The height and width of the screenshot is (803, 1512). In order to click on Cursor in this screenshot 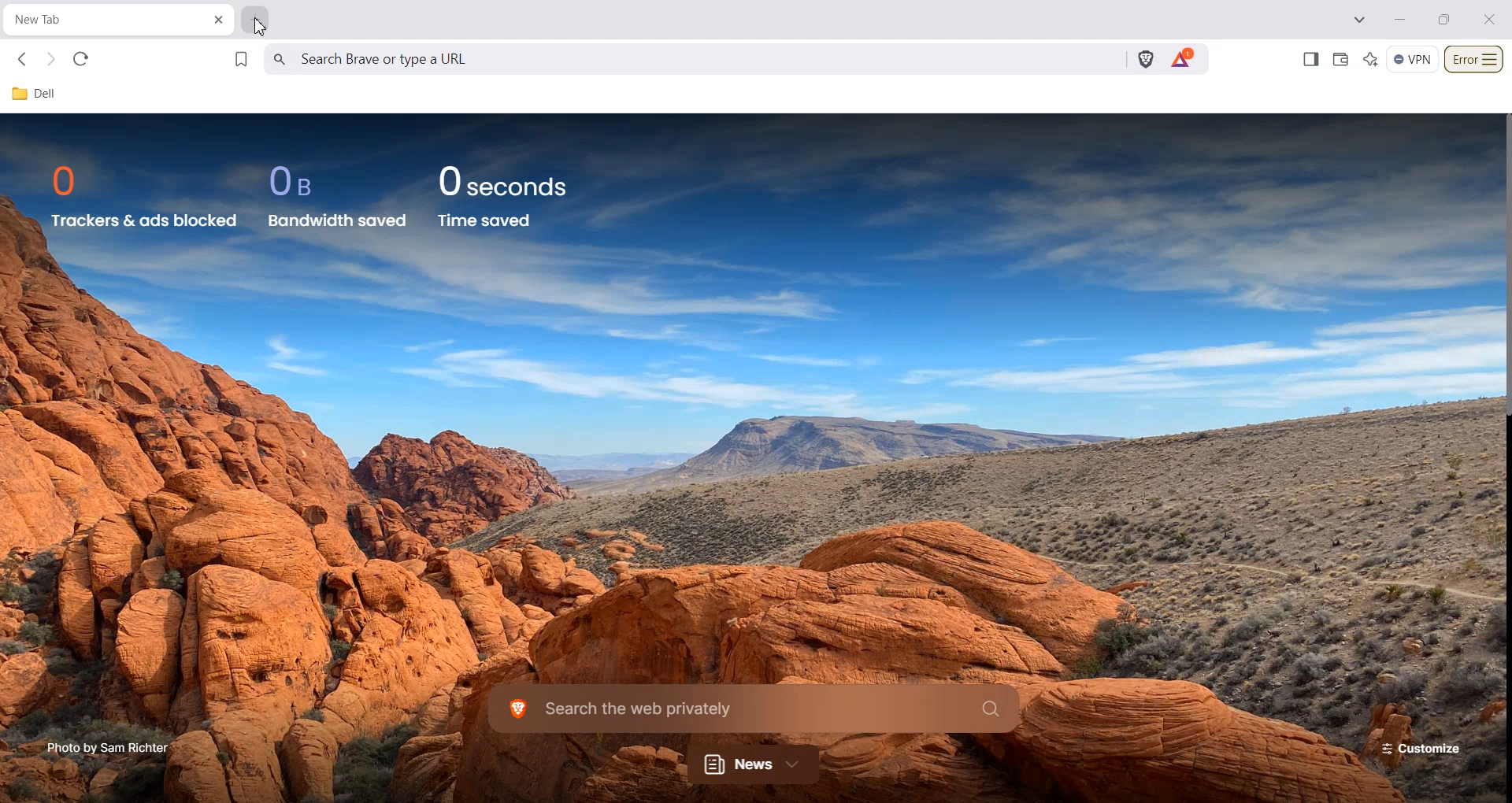, I will do `click(259, 28)`.